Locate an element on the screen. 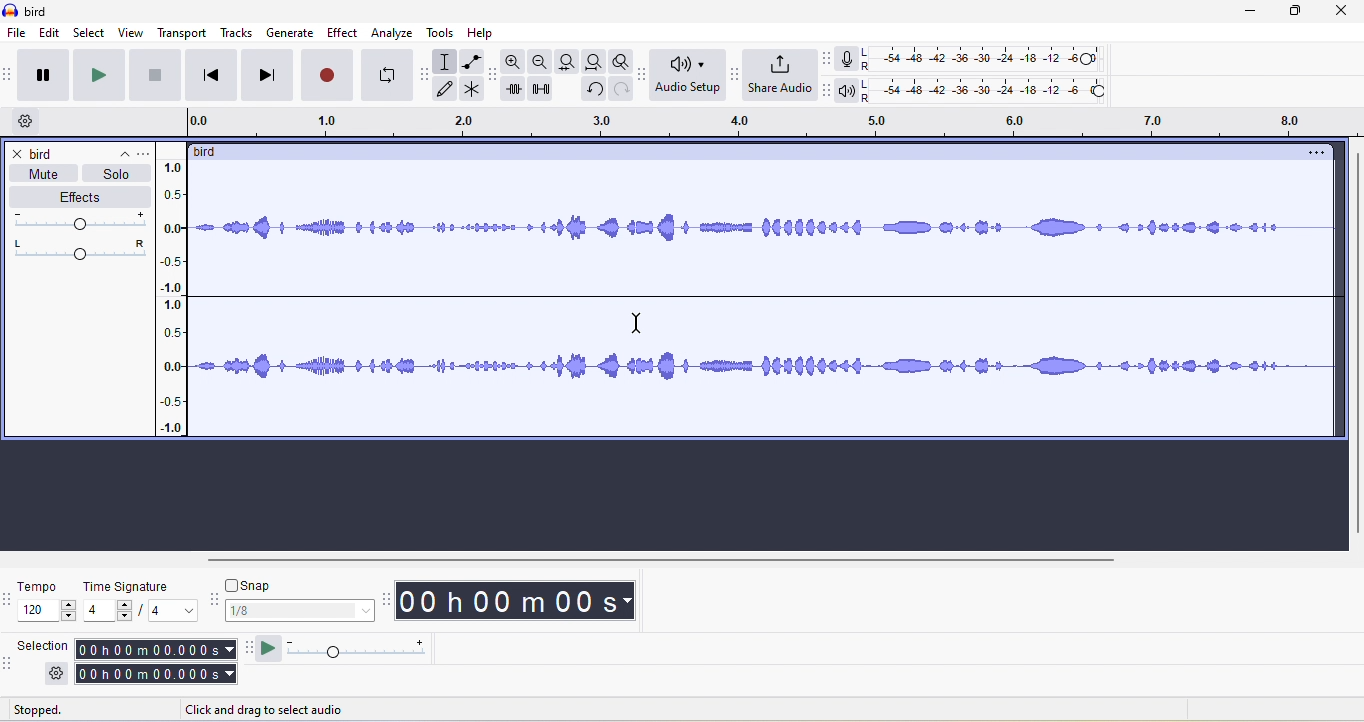 The width and height of the screenshot is (1364, 722). title is located at coordinates (28, 11).